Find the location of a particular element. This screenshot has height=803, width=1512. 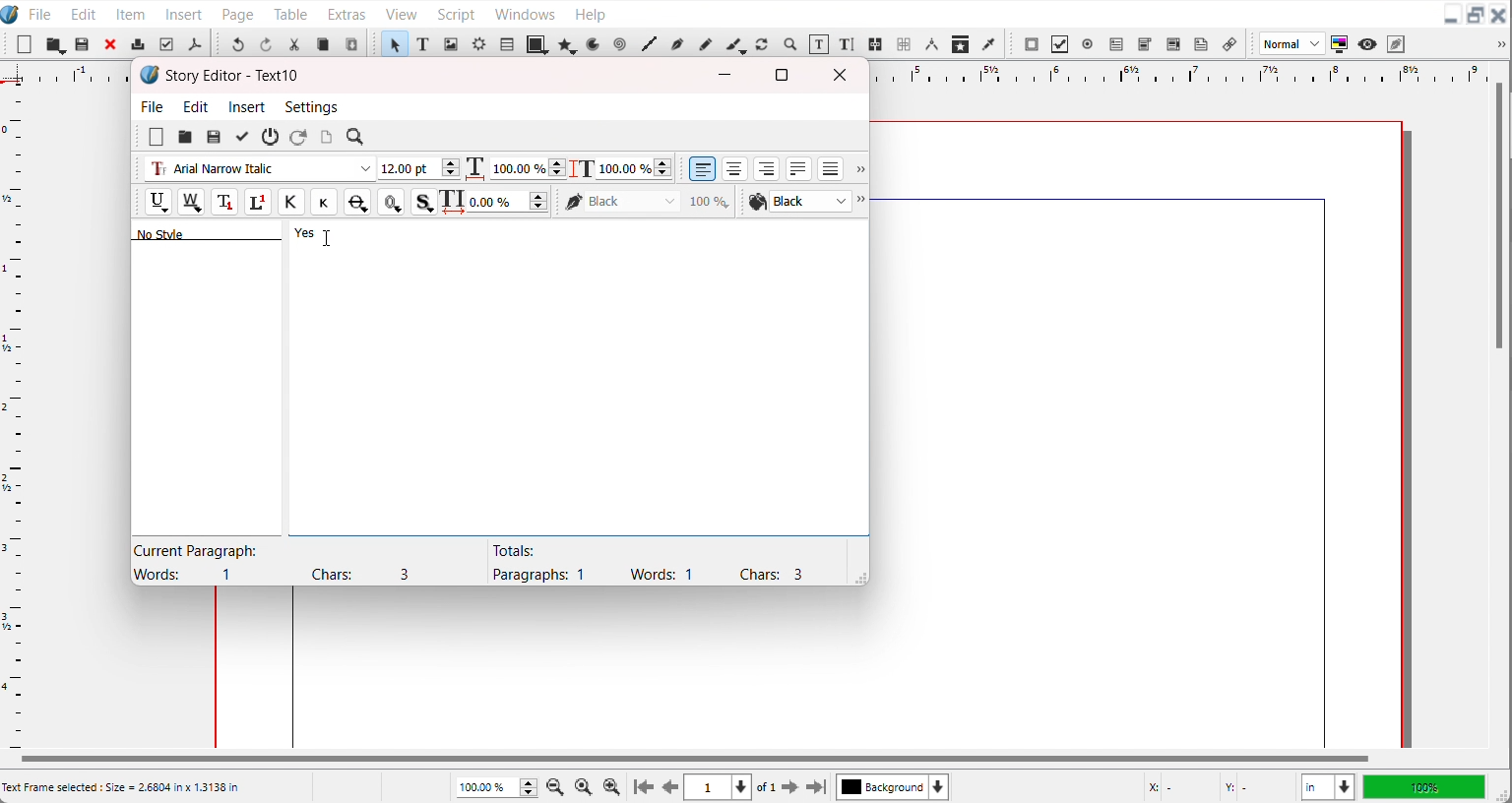

Font type is located at coordinates (258, 169).